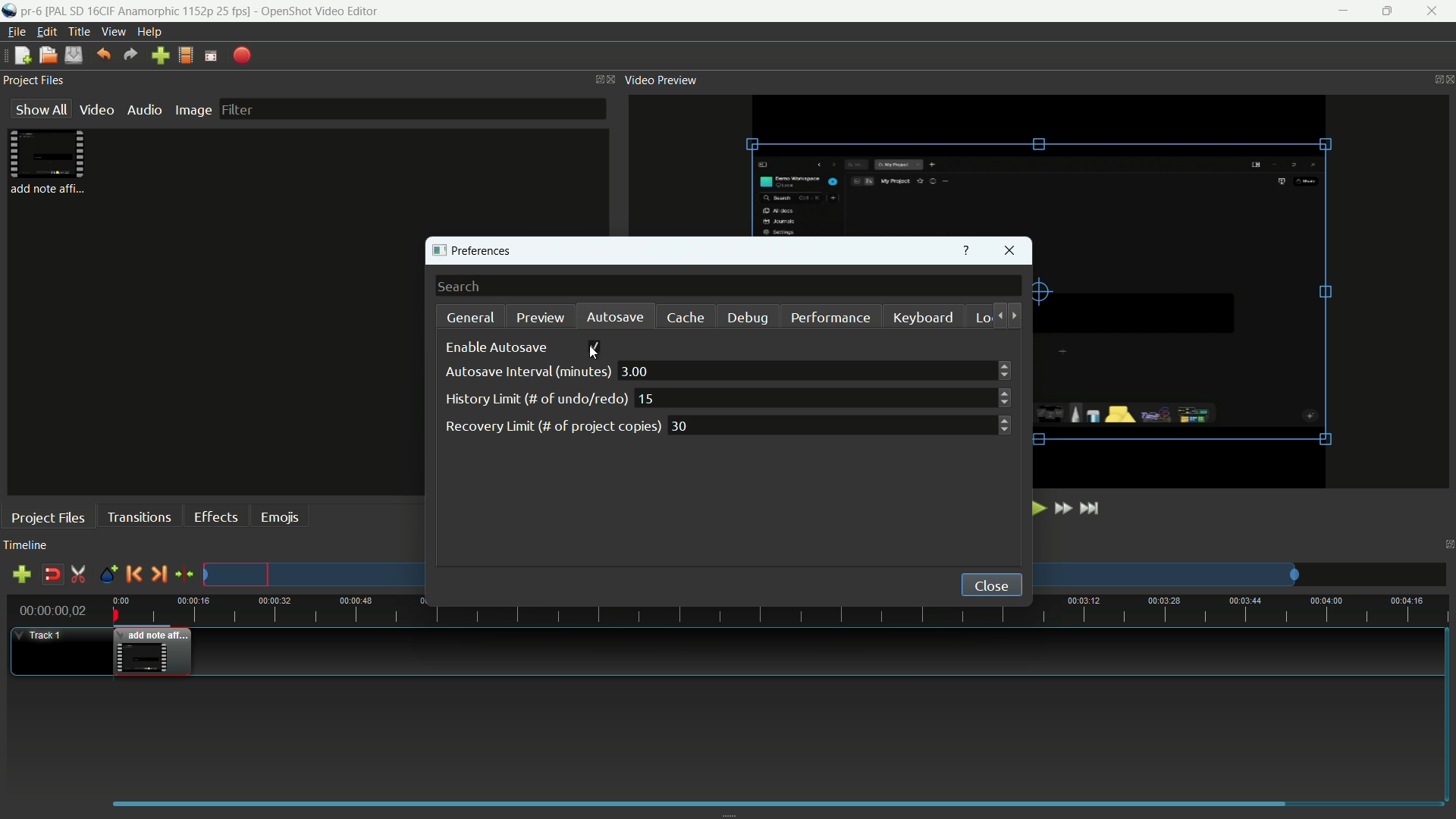 This screenshot has height=819, width=1456. I want to click on view menu, so click(111, 32).